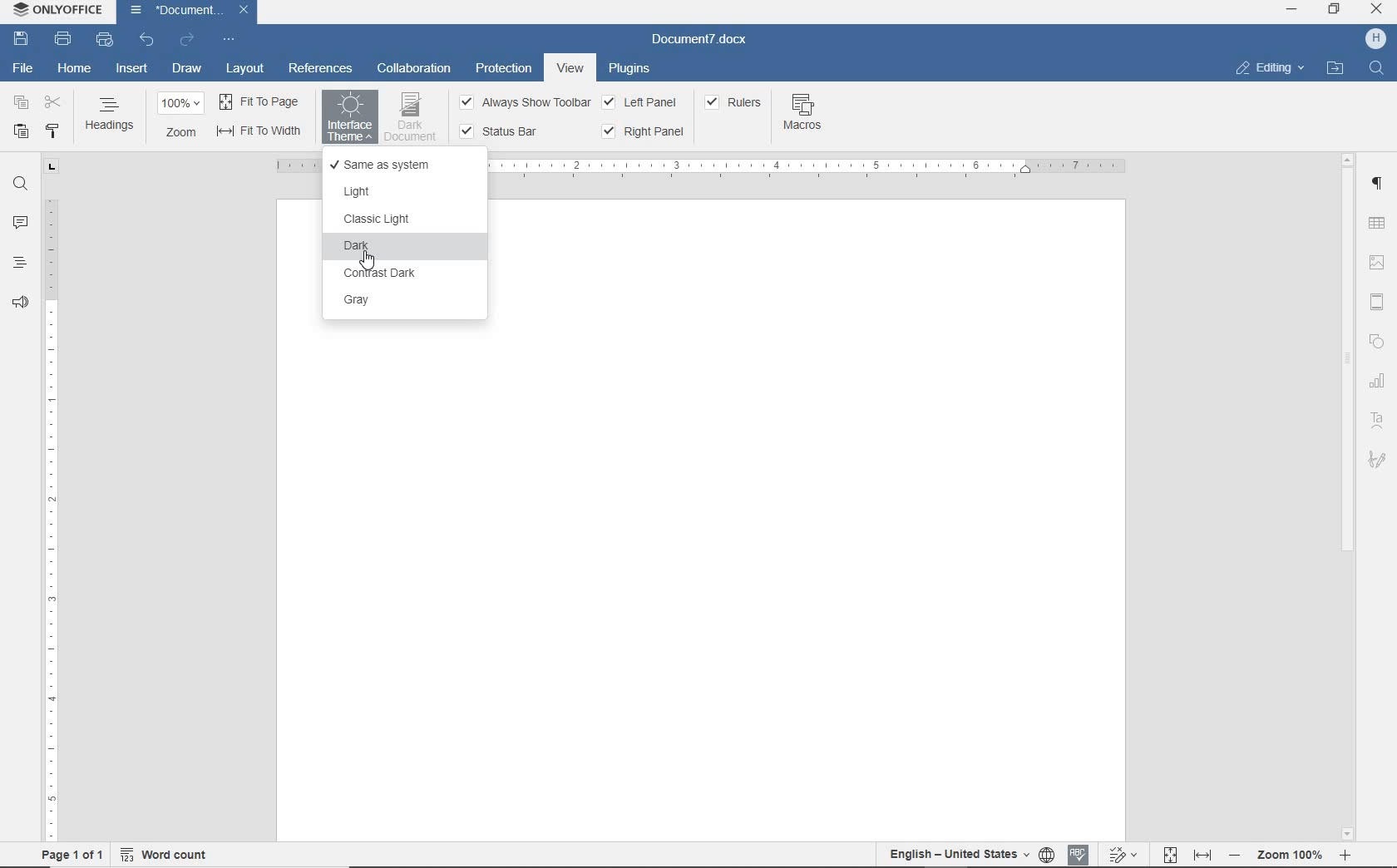 This screenshot has width=1397, height=868. I want to click on RULER, so click(51, 519).